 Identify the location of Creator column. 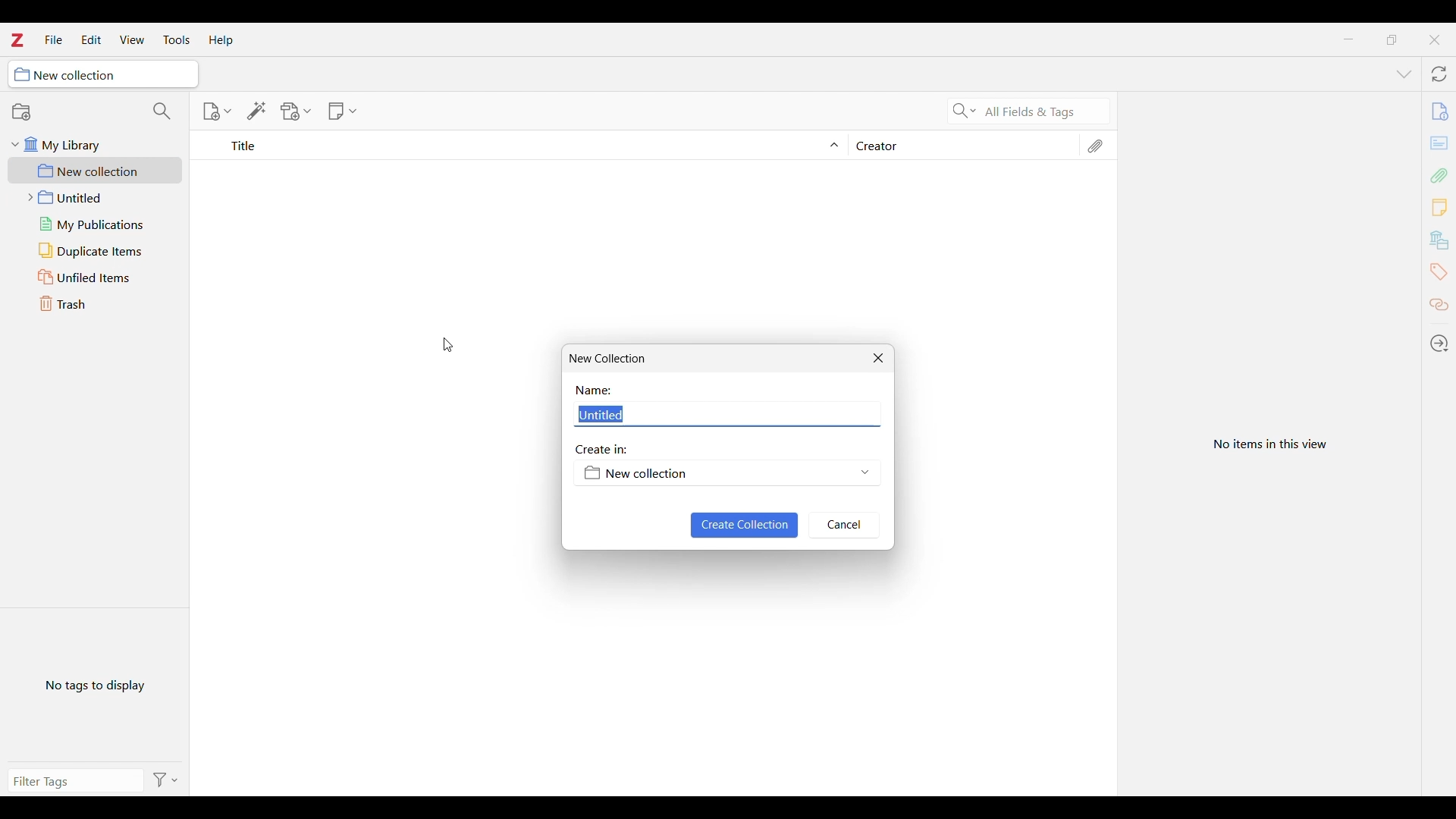
(960, 145).